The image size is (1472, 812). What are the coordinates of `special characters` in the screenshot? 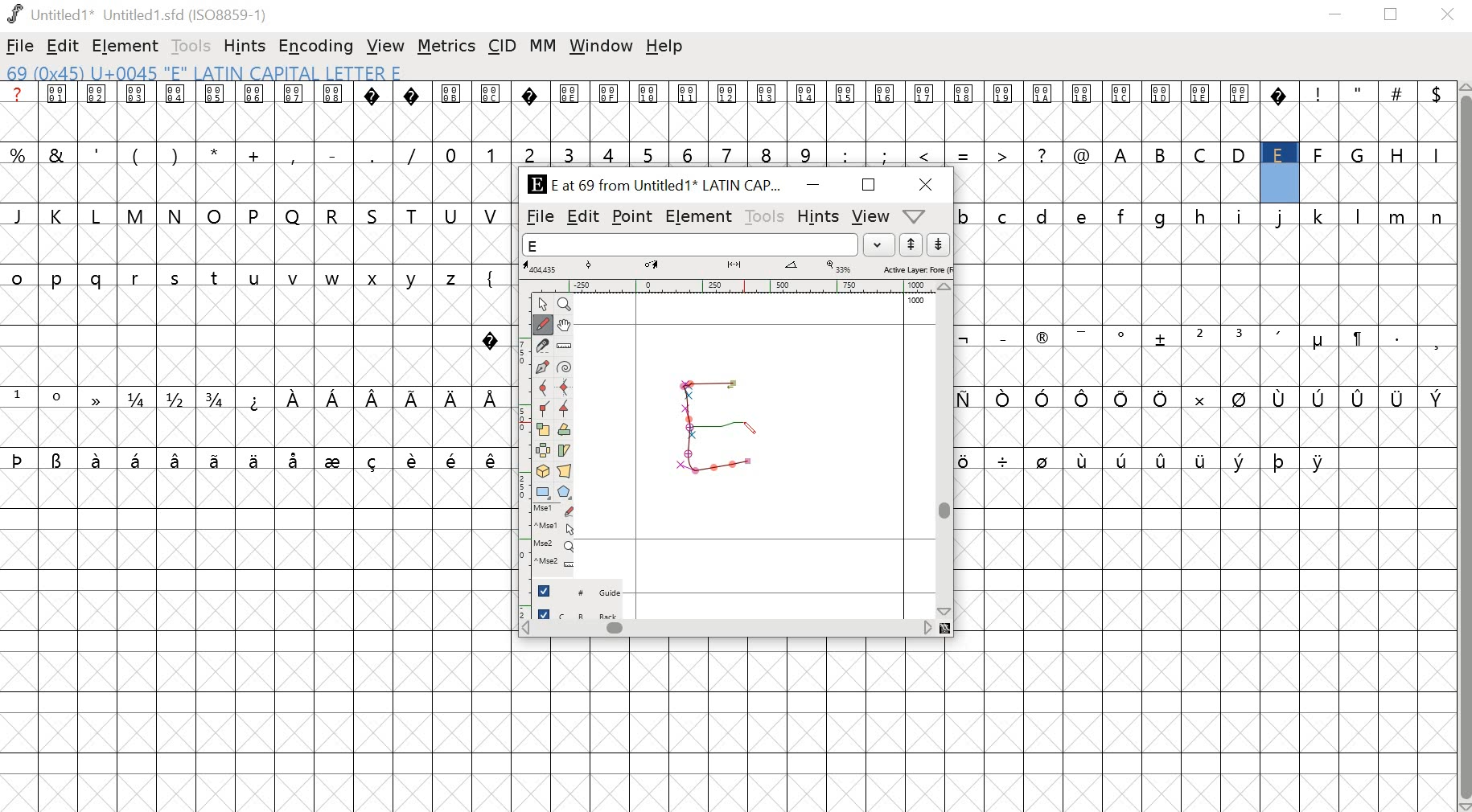 It's located at (252, 461).